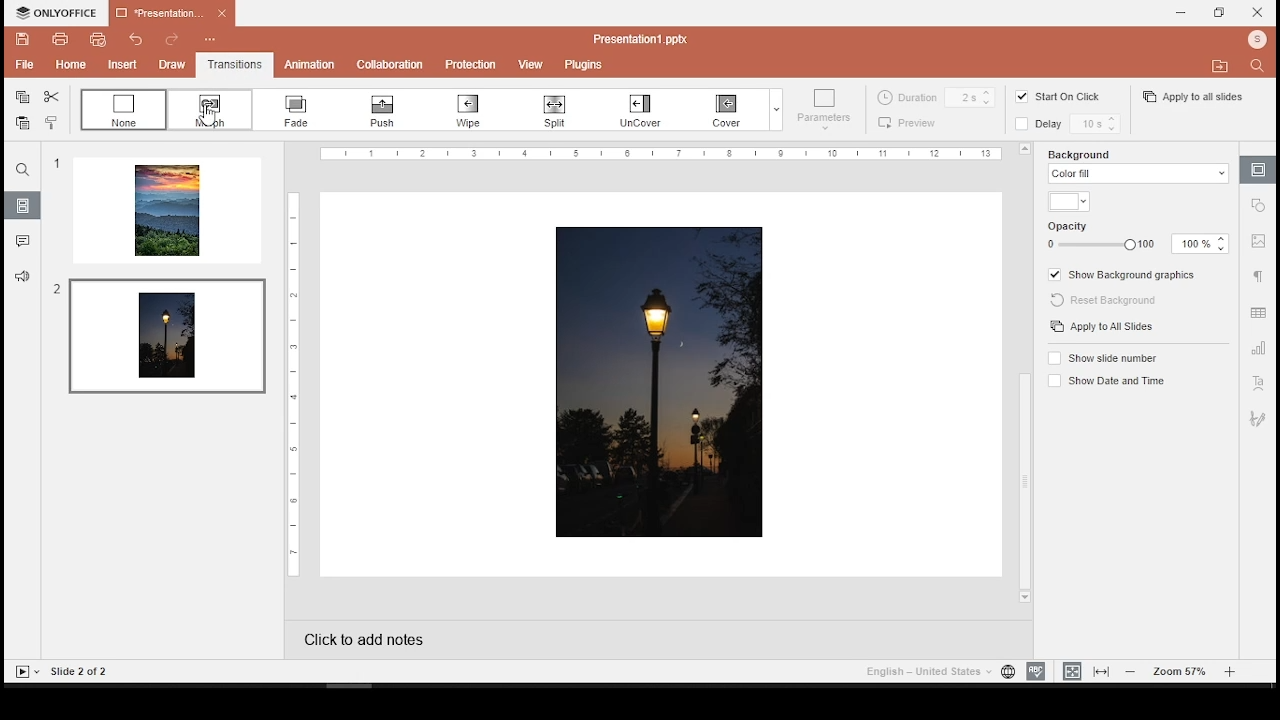 This screenshot has width=1280, height=720. Describe the element at coordinates (925, 674) in the screenshot. I see `english - united states` at that location.